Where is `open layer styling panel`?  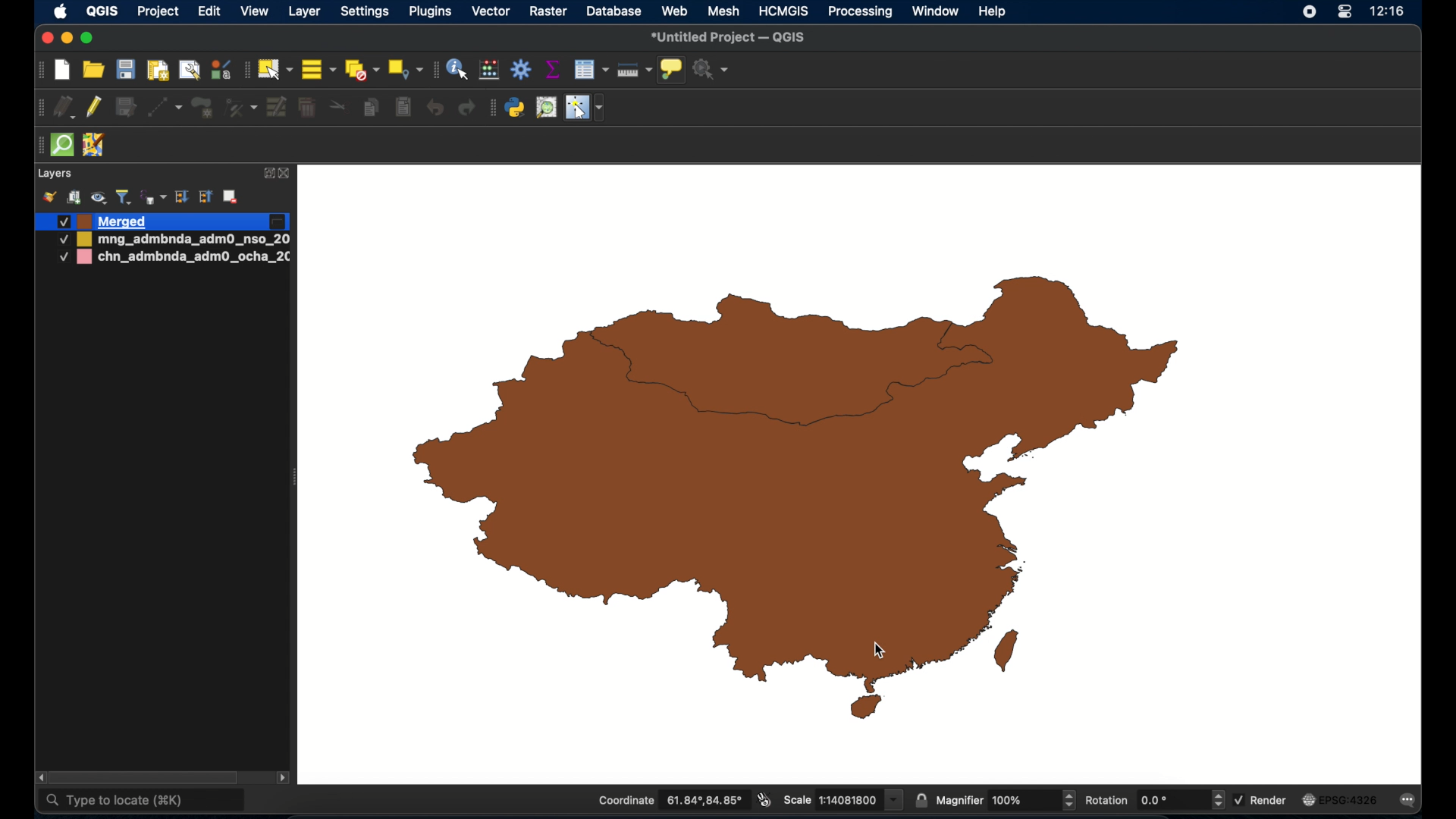
open layer styling panel is located at coordinates (49, 197).